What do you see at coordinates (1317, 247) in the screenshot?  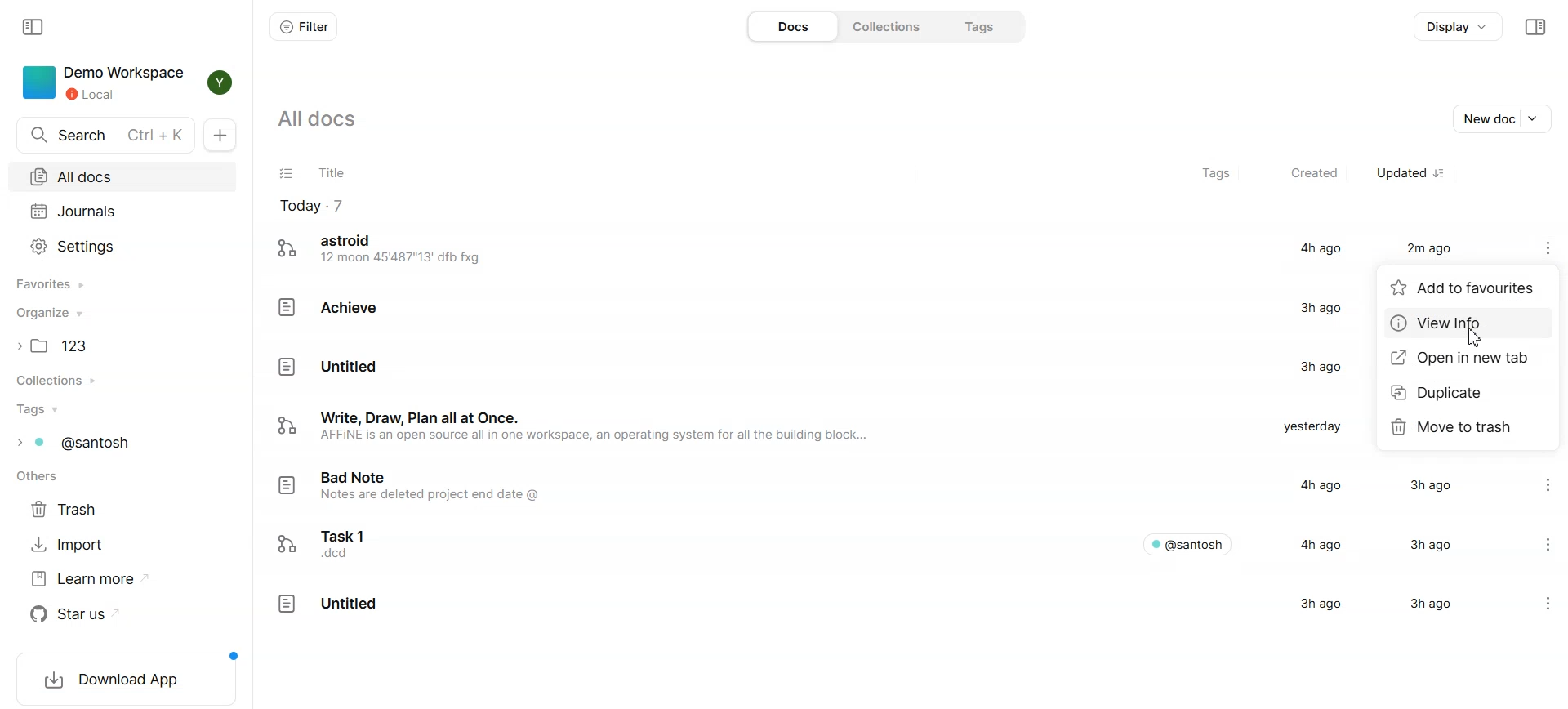 I see `4h ago` at bounding box center [1317, 247].